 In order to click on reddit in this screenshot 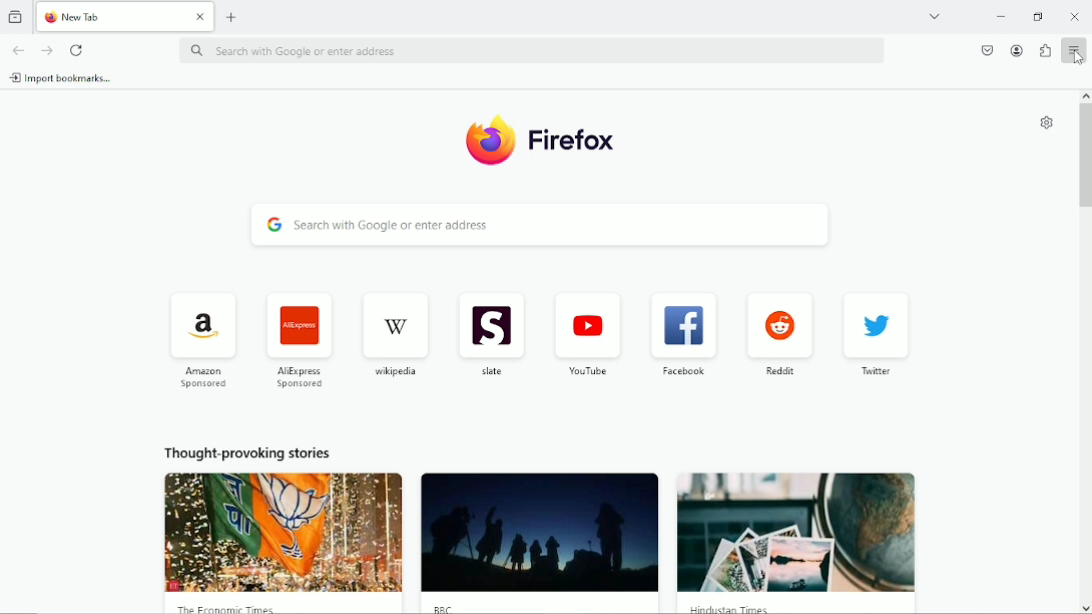, I will do `click(781, 370)`.